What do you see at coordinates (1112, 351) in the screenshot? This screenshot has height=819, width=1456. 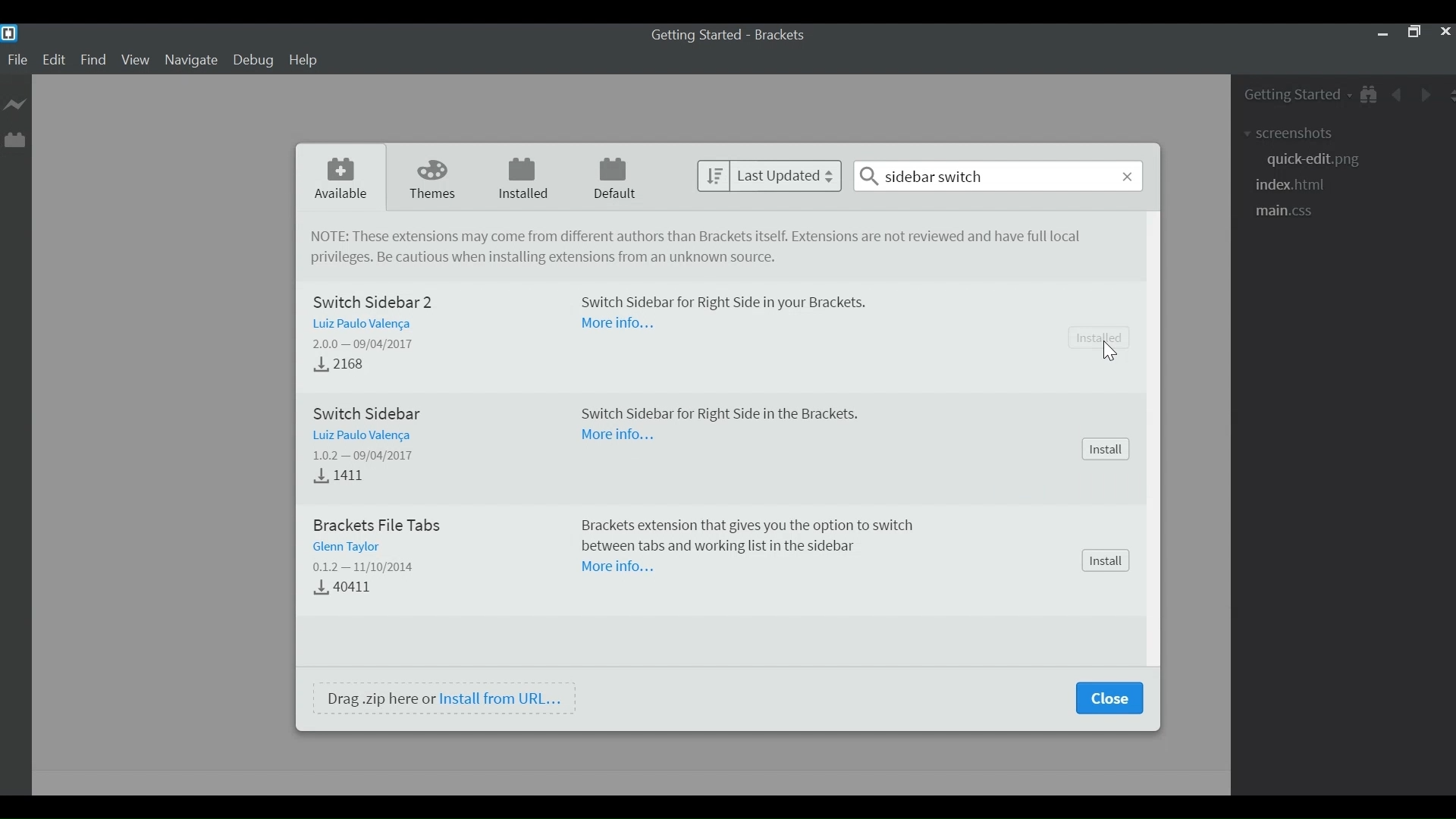 I see `cursor` at bounding box center [1112, 351].